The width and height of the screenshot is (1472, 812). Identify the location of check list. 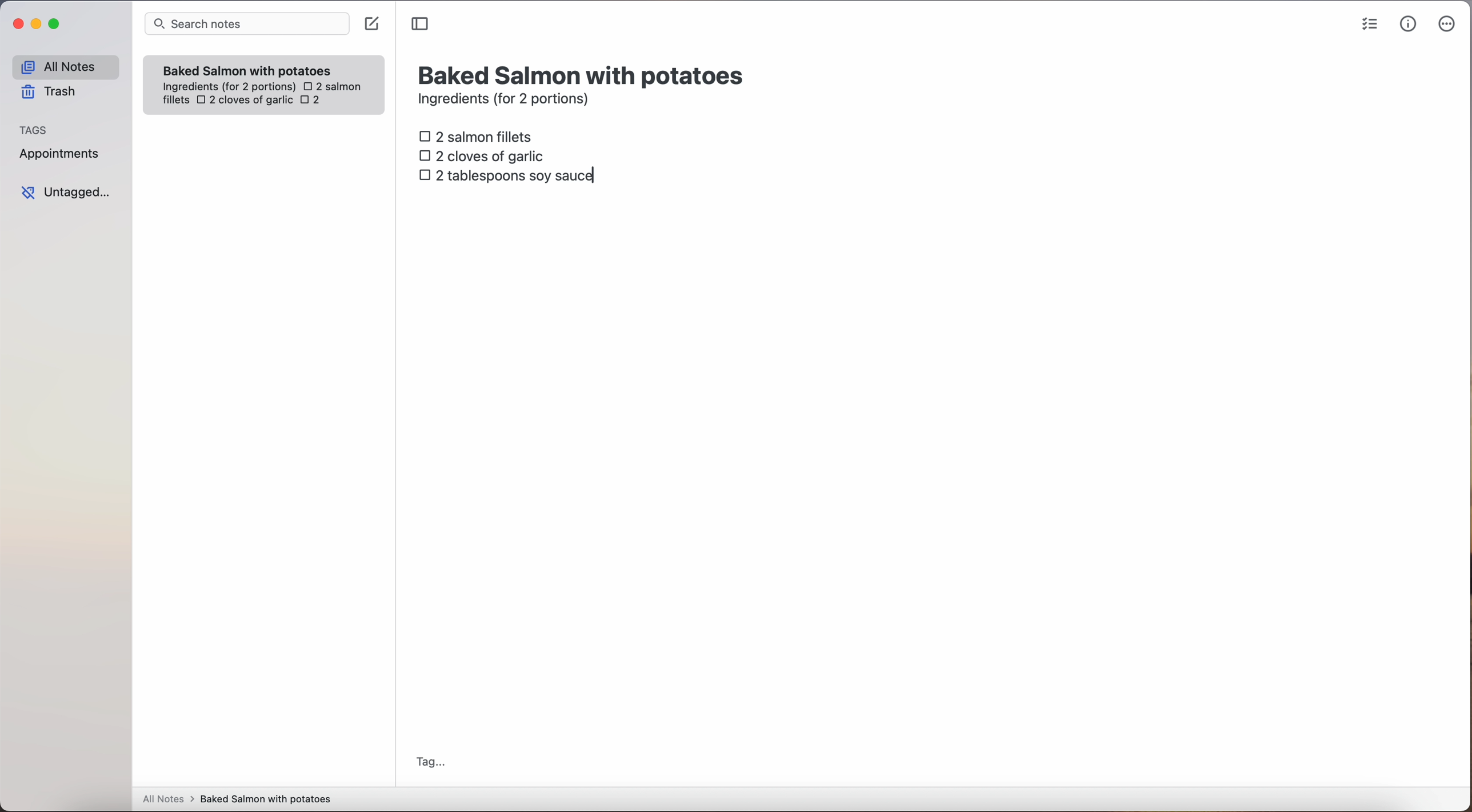
(1370, 25).